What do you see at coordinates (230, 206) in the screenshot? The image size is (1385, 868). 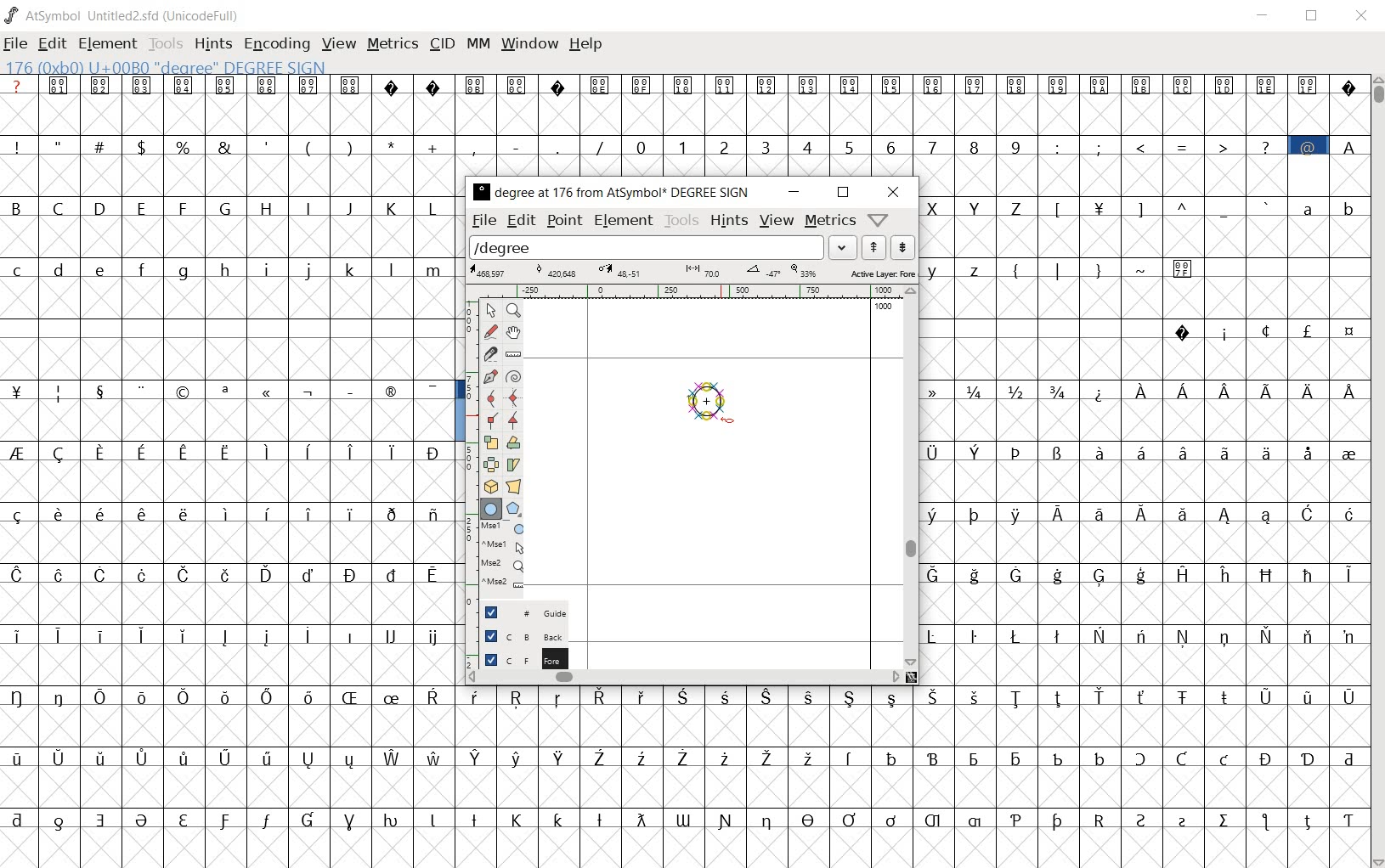 I see `capital letters B - Z` at bounding box center [230, 206].